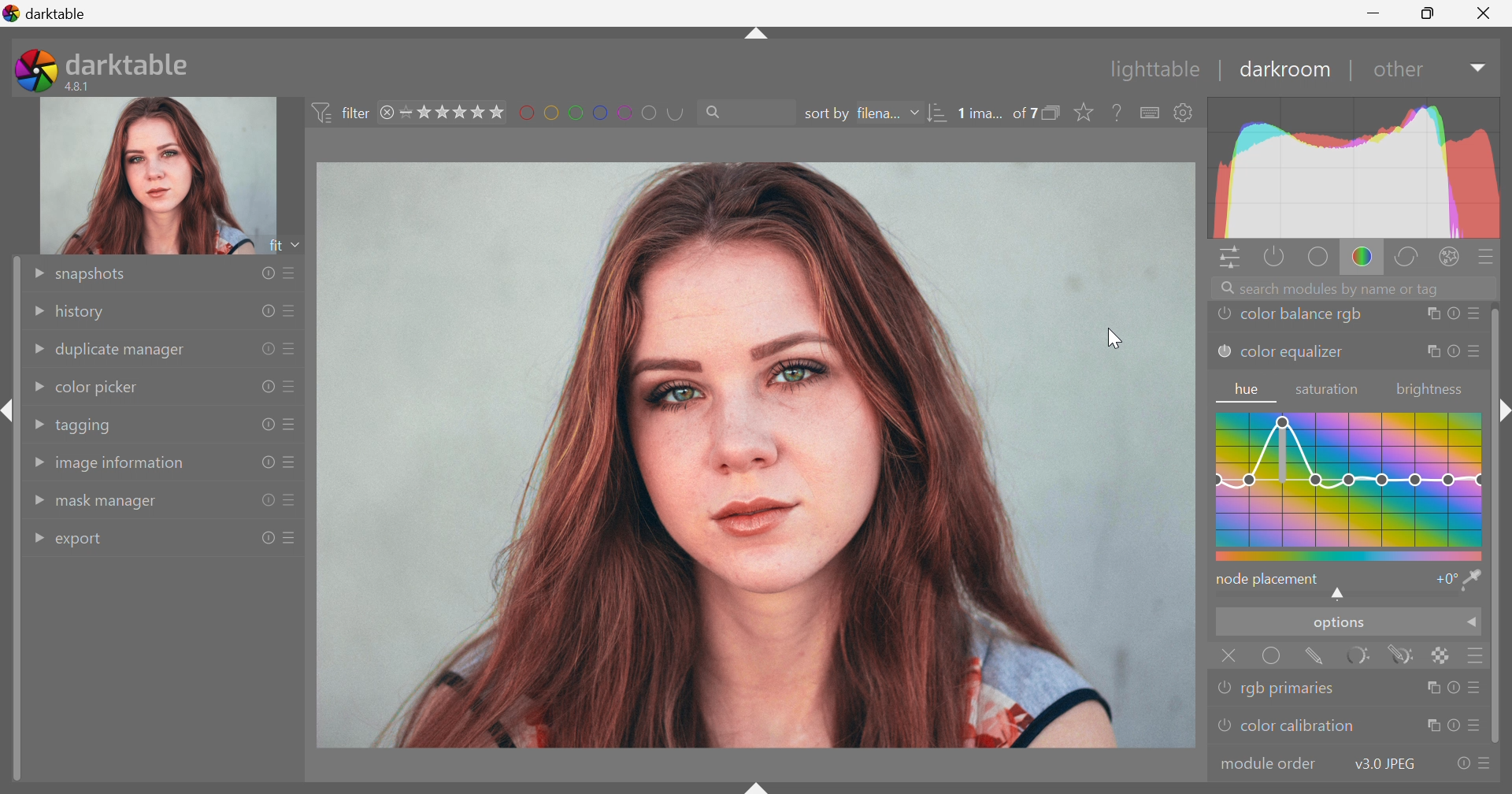 This screenshot has width=1512, height=794. Describe the element at coordinates (1429, 390) in the screenshot. I see `brightness` at that location.